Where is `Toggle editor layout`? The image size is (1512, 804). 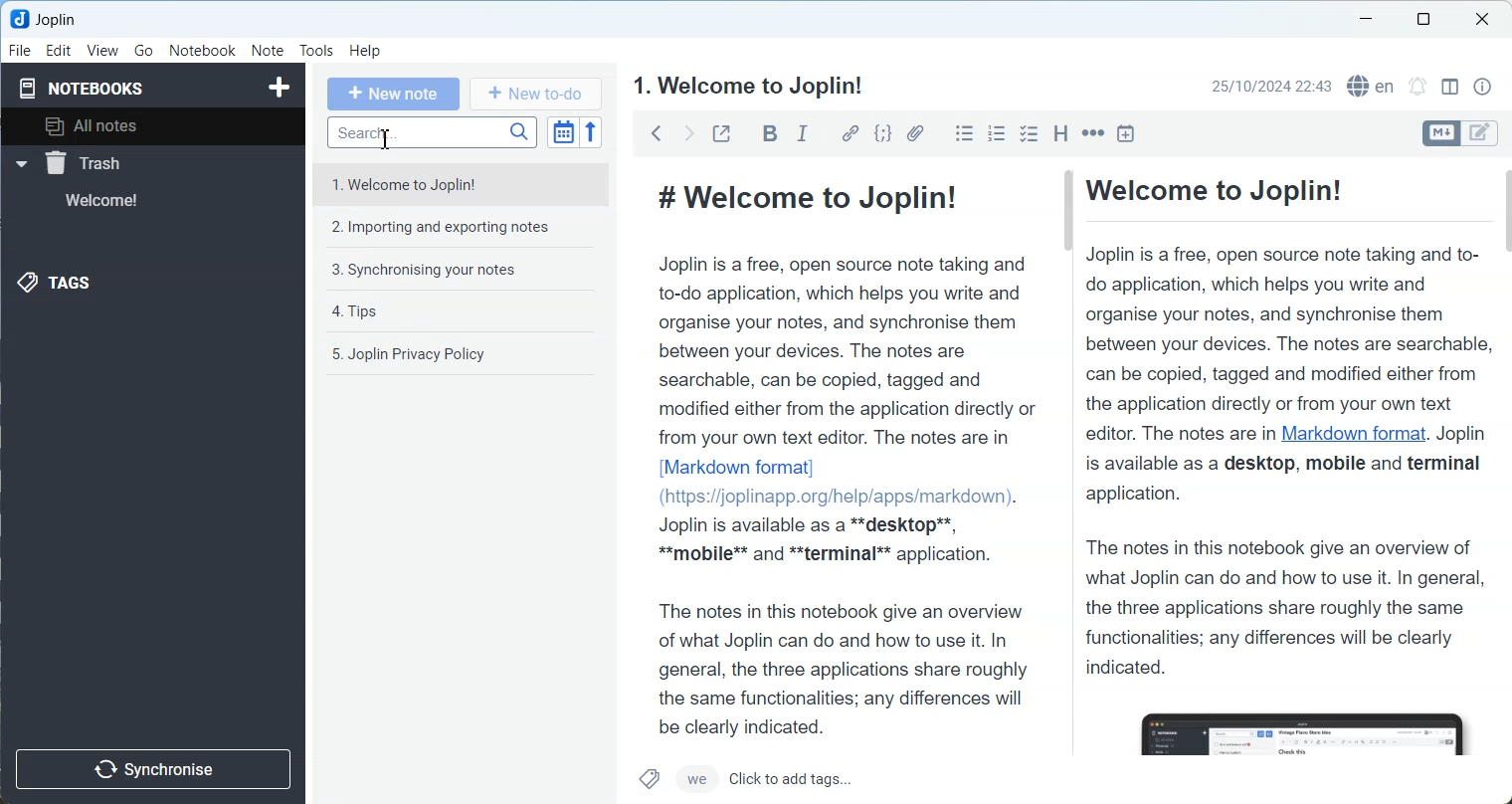
Toggle editor layout is located at coordinates (1449, 87).